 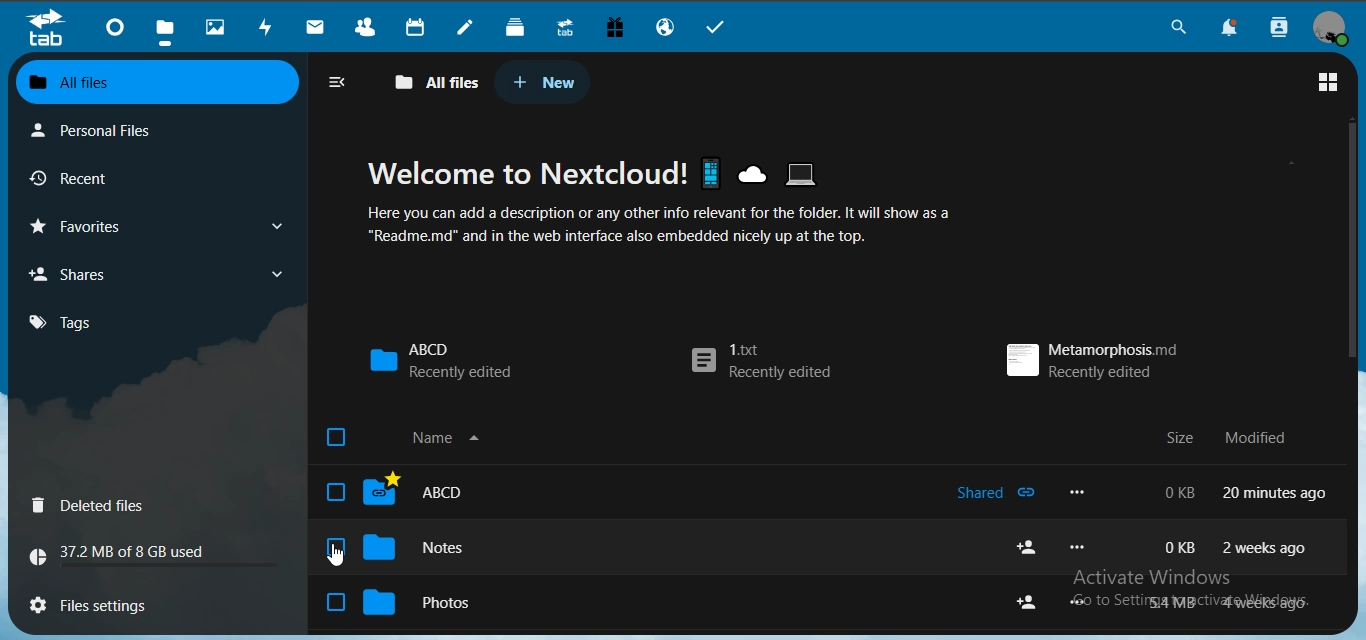 What do you see at coordinates (1276, 491) in the screenshot?
I see `20 min ago` at bounding box center [1276, 491].